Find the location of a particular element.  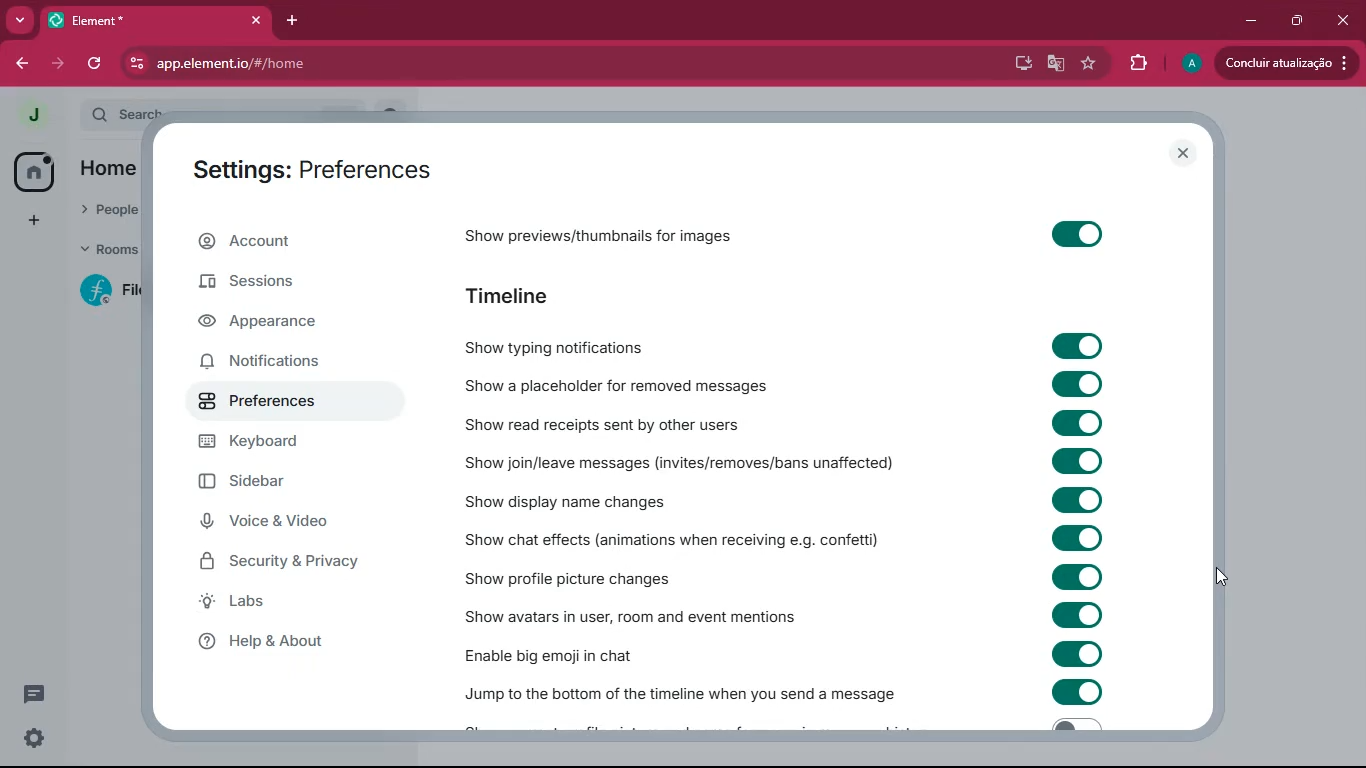

minimize is located at coordinates (1251, 18).